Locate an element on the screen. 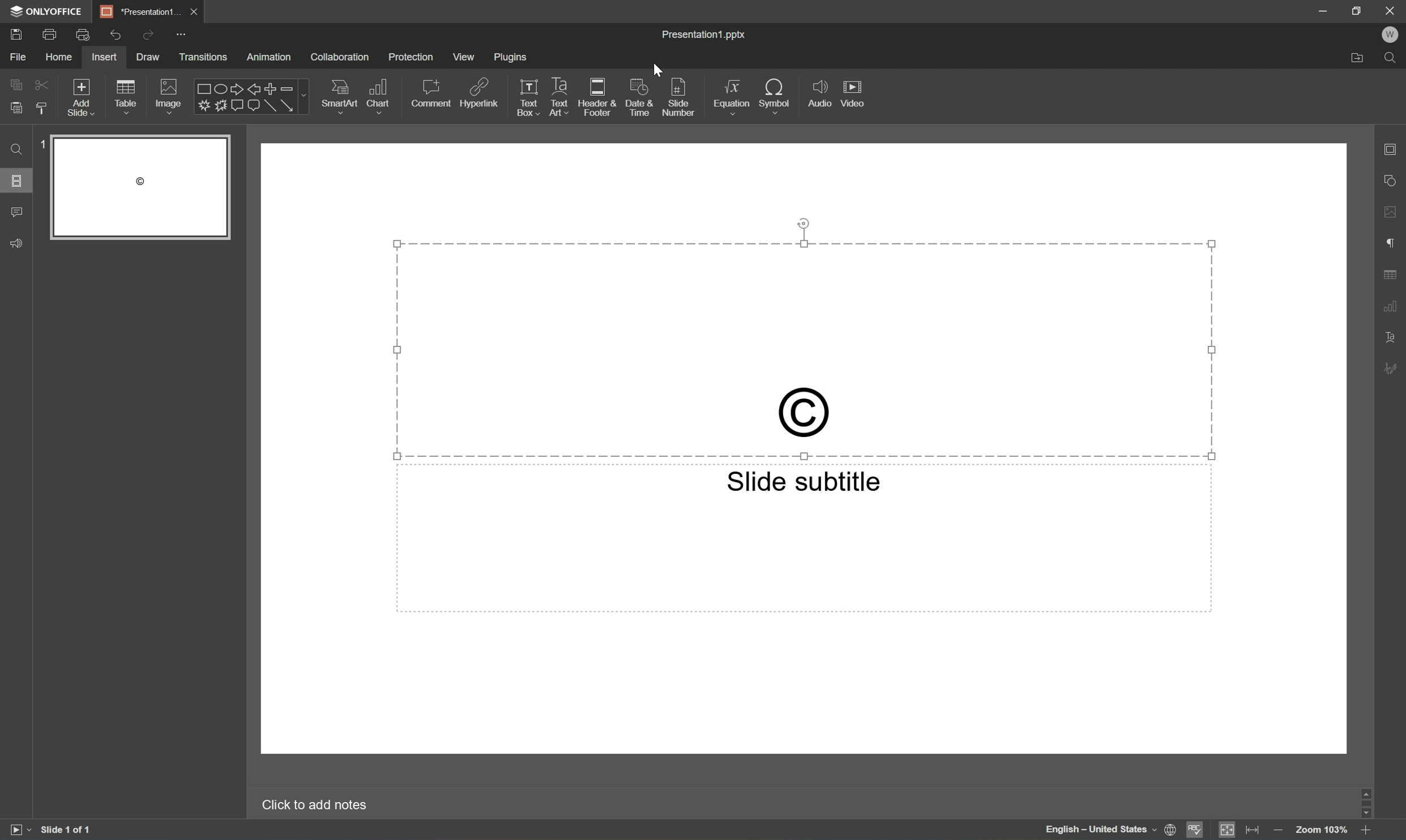 The height and width of the screenshot is (840, 1406). Header & Footer is located at coordinates (600, 97).